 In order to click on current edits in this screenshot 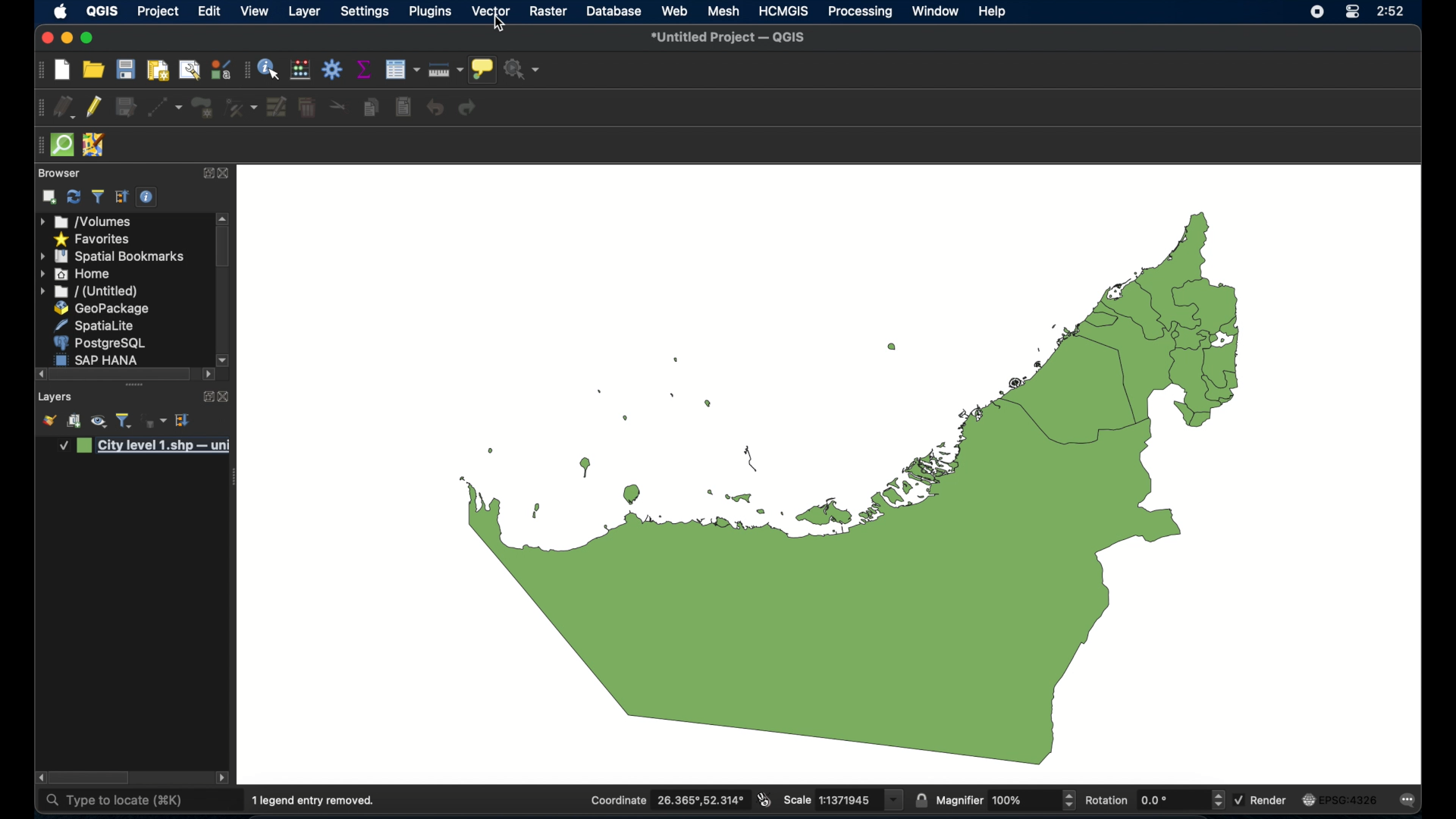, I will do `click(64, 107)`.